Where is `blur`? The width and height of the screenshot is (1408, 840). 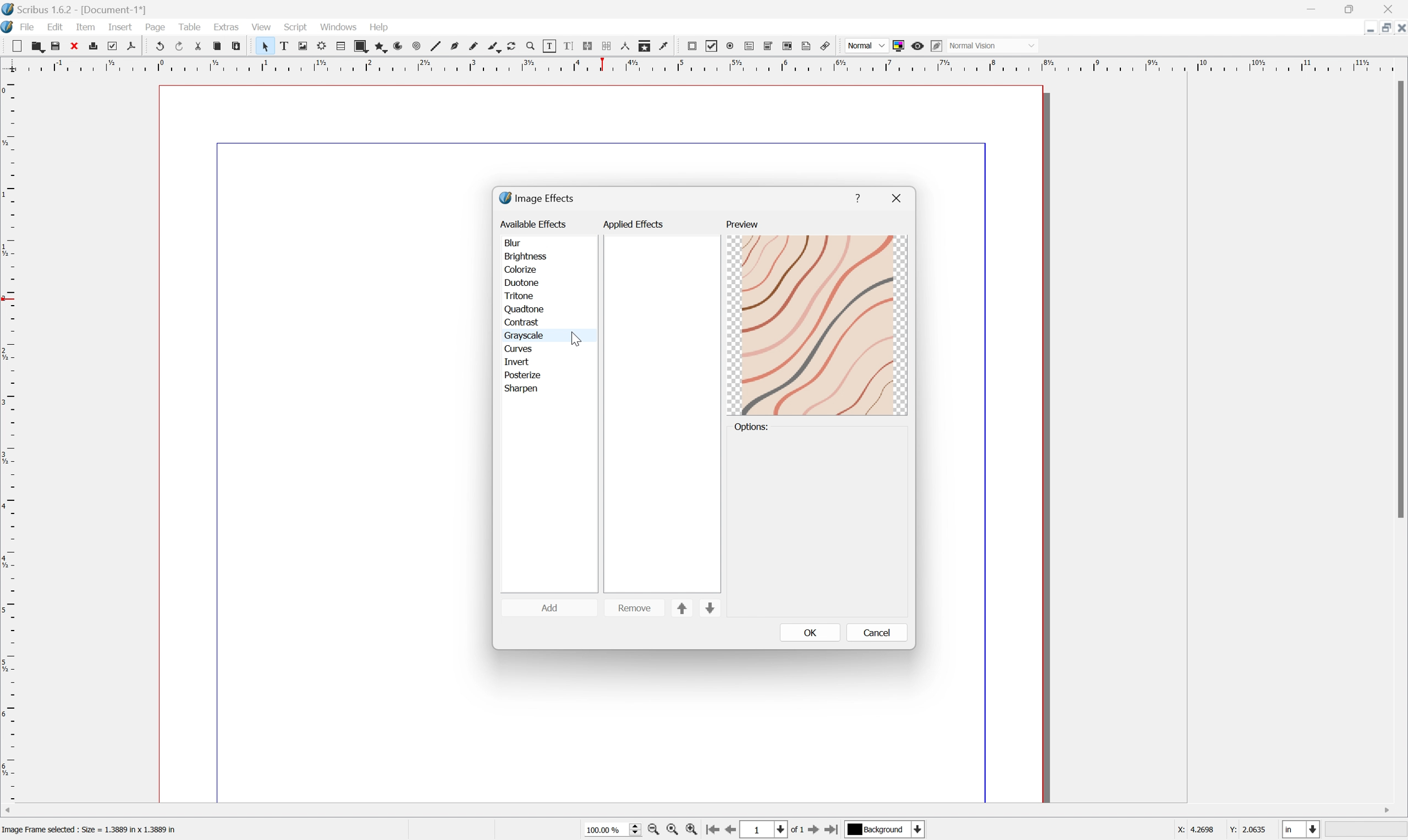
blur is located at coordinates (513, 243).